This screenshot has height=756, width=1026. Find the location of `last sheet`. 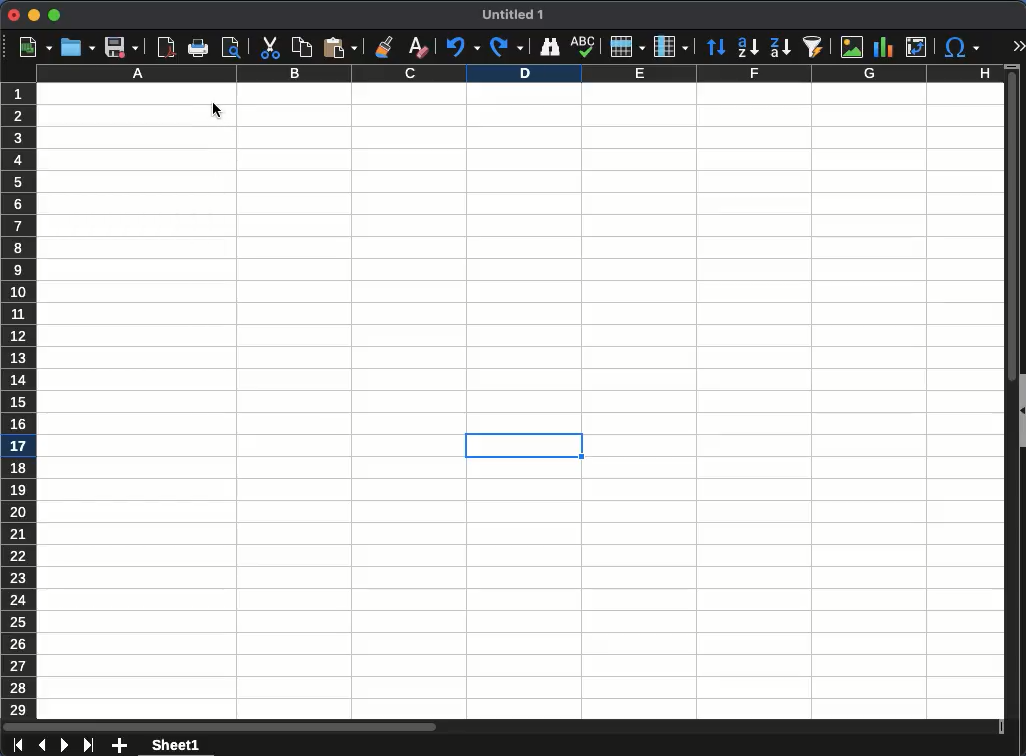

last sheet is located at coordinates (90, 744).